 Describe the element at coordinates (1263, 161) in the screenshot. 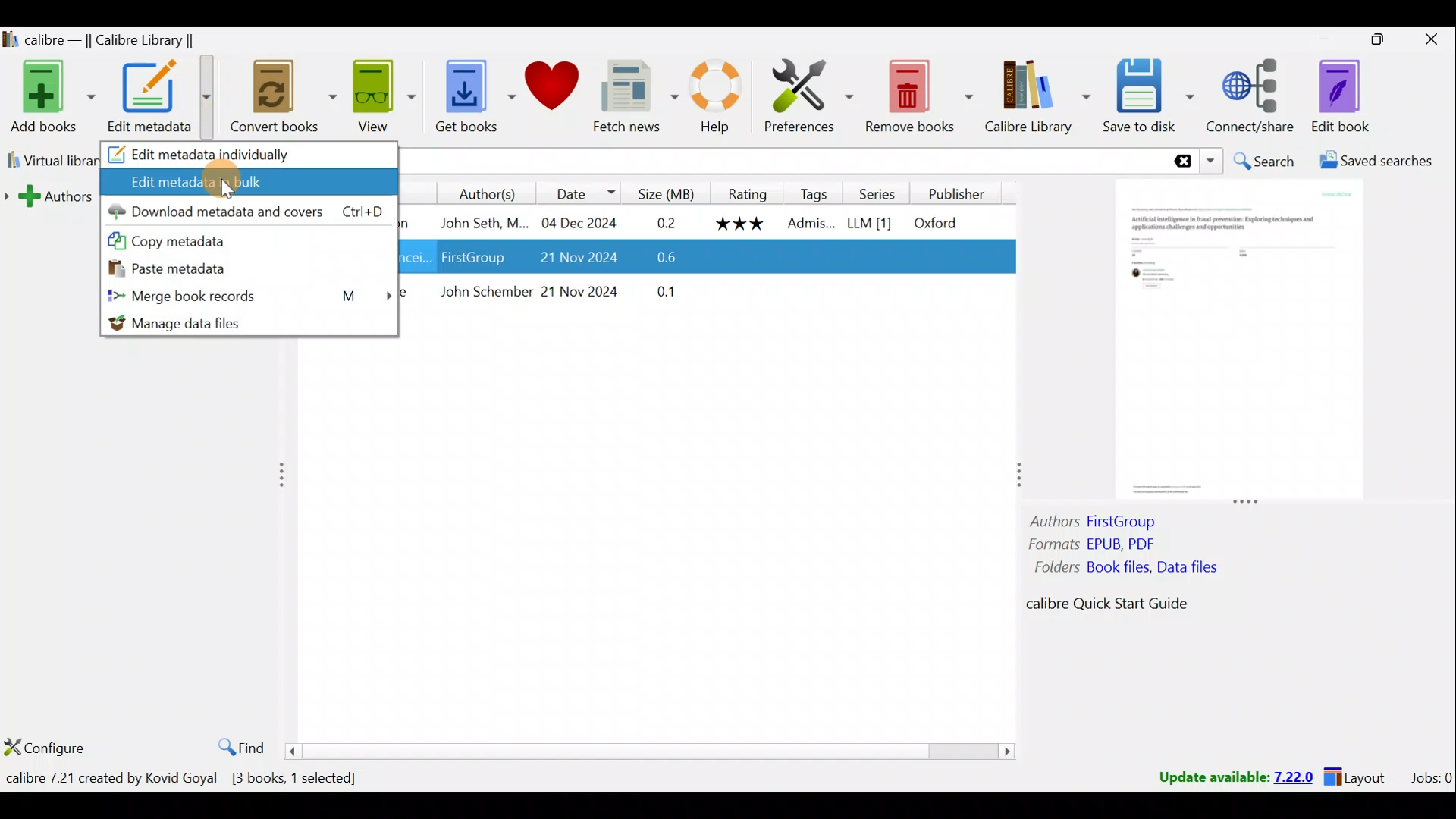

I see `Search` at that location.